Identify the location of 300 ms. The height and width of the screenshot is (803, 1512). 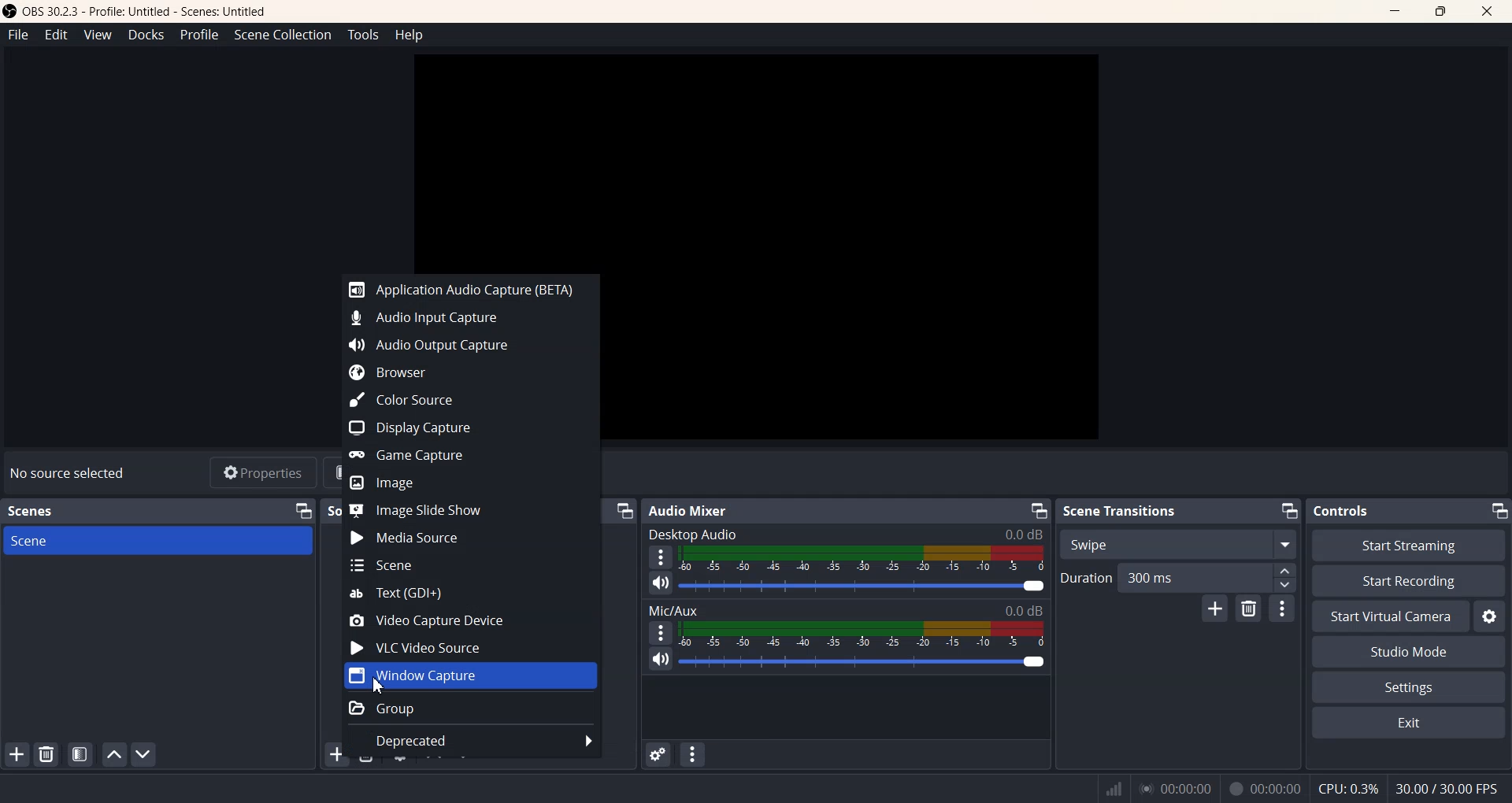
(1210, 576).